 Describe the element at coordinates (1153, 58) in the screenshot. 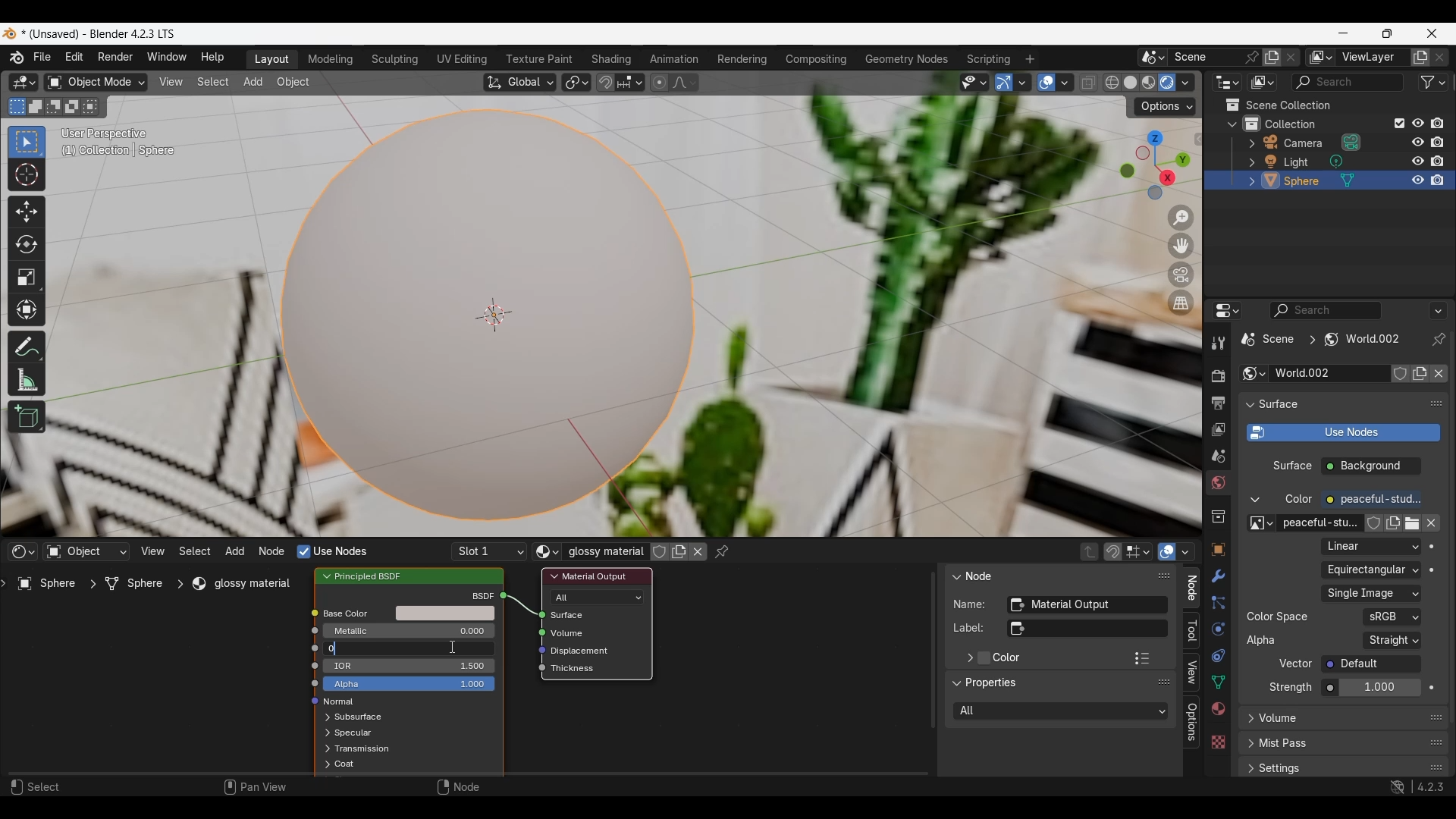

I see `Browse scene to be linked` at that location.